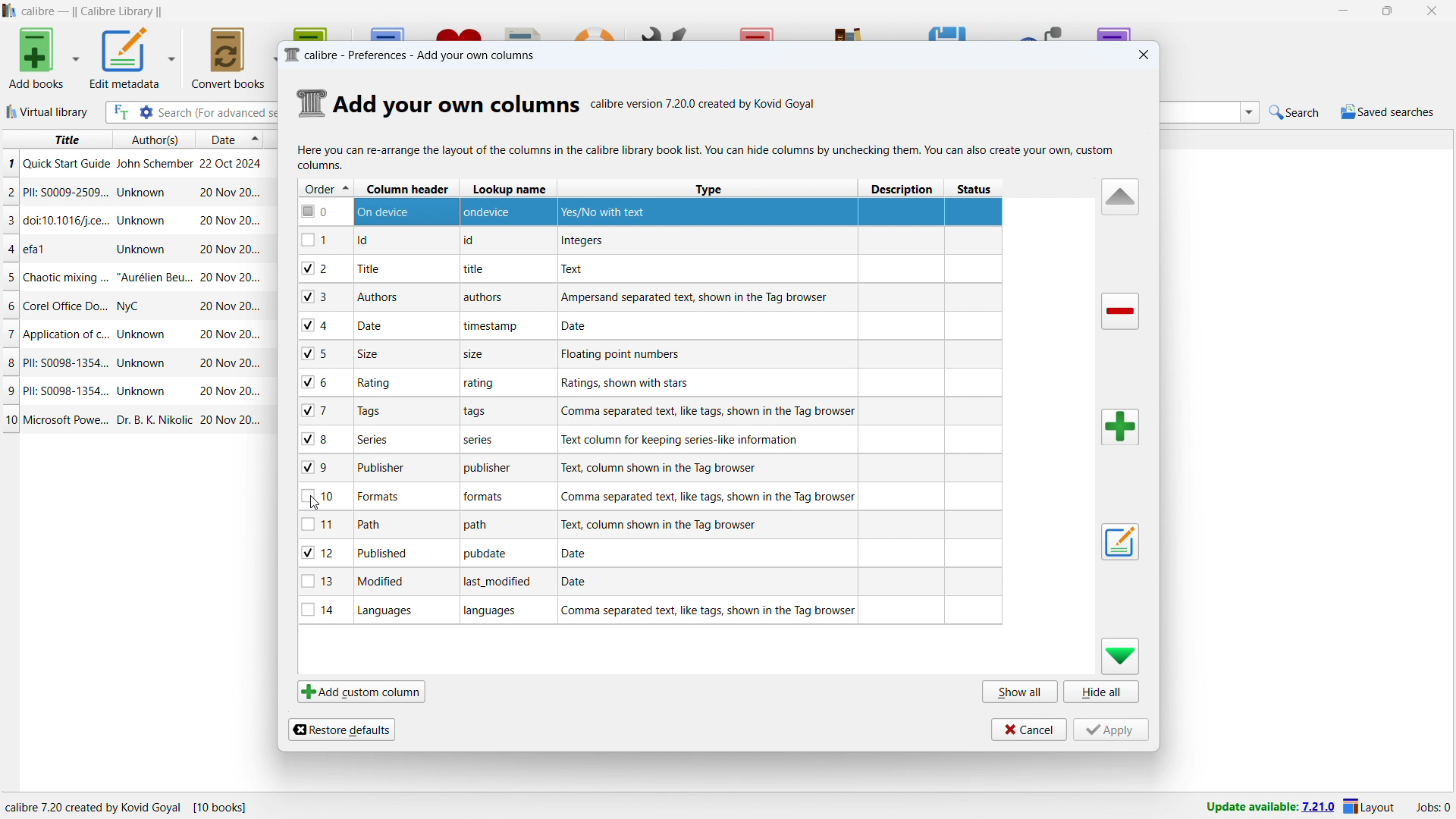 Image resolution: width=1456 pixels, height=819 pixels. Describe the element at coordinates (650, 239) in the screenshot. I see `EL] on] ie bn 2` at that location.